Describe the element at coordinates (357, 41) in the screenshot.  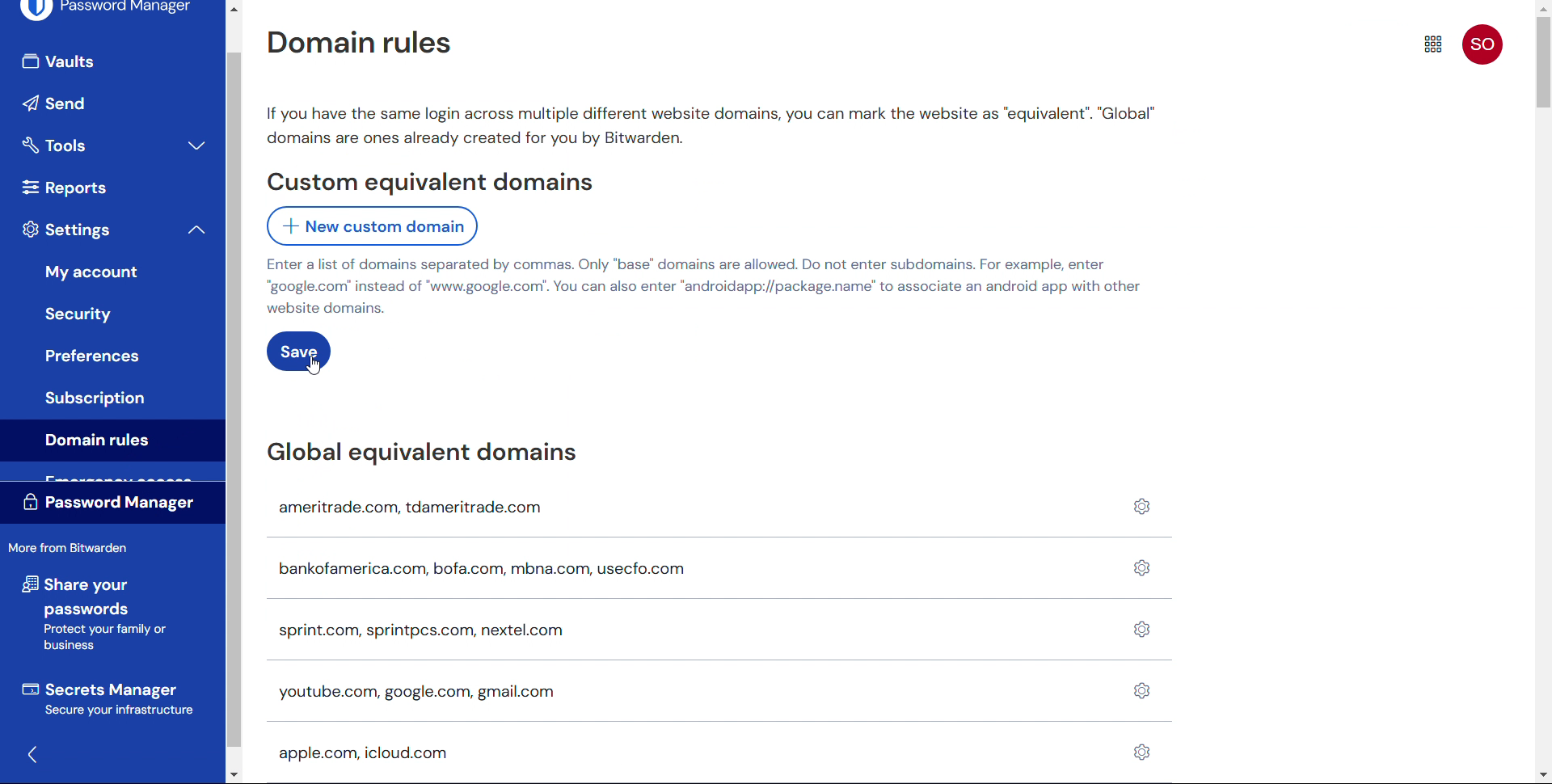
I see `Domain rules` at that location.